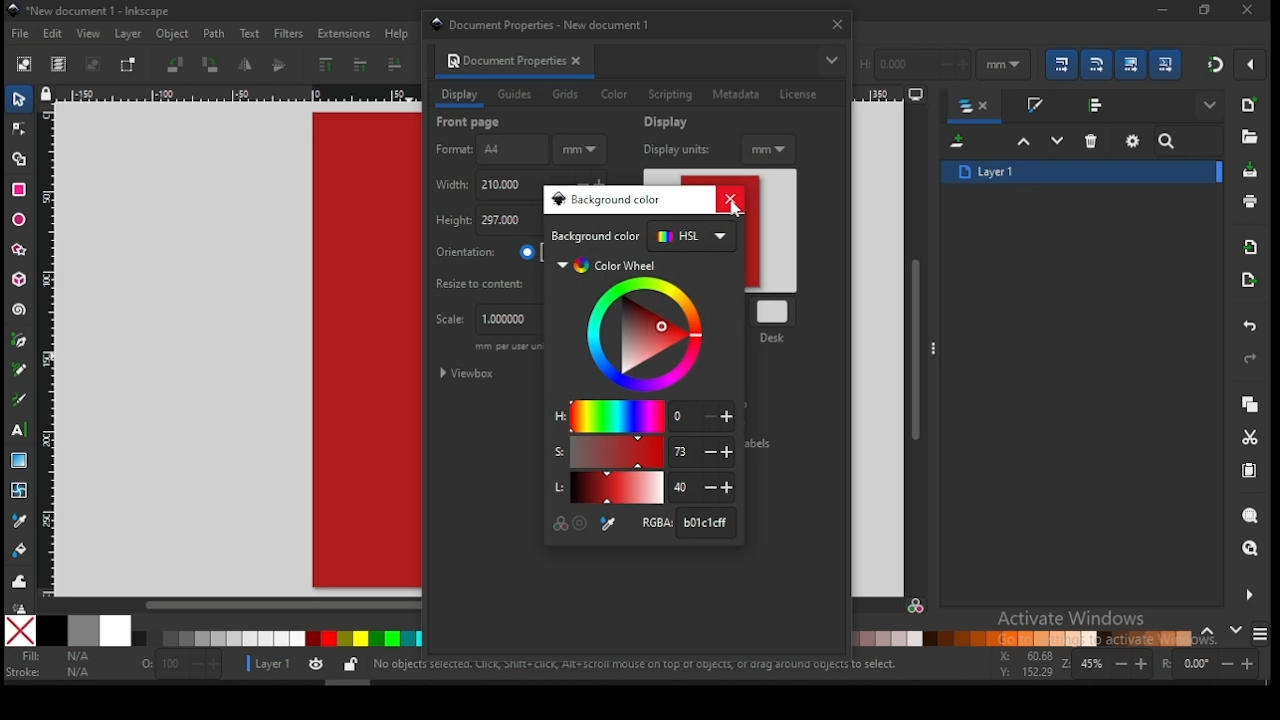 The image size is (1280, 720). I want to click on node tool, so click(20, 128).